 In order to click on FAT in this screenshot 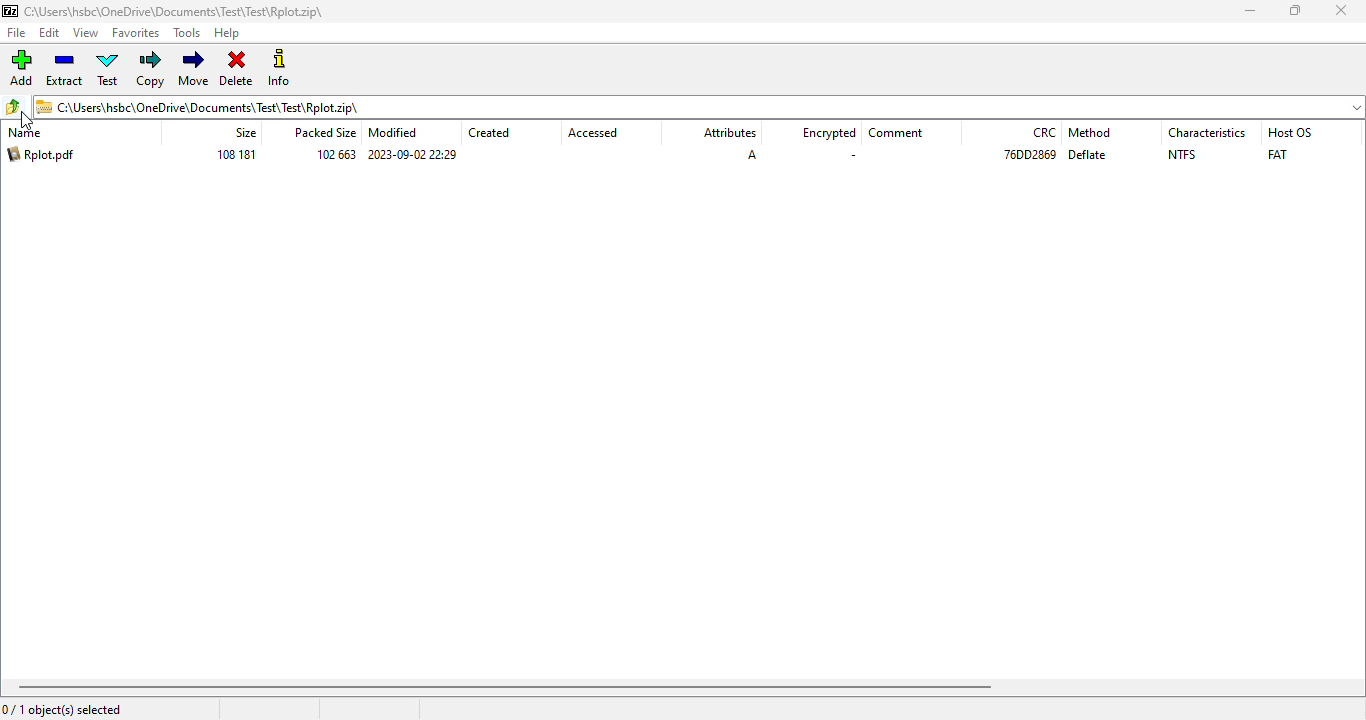, I will do `click(1278, 154)`.